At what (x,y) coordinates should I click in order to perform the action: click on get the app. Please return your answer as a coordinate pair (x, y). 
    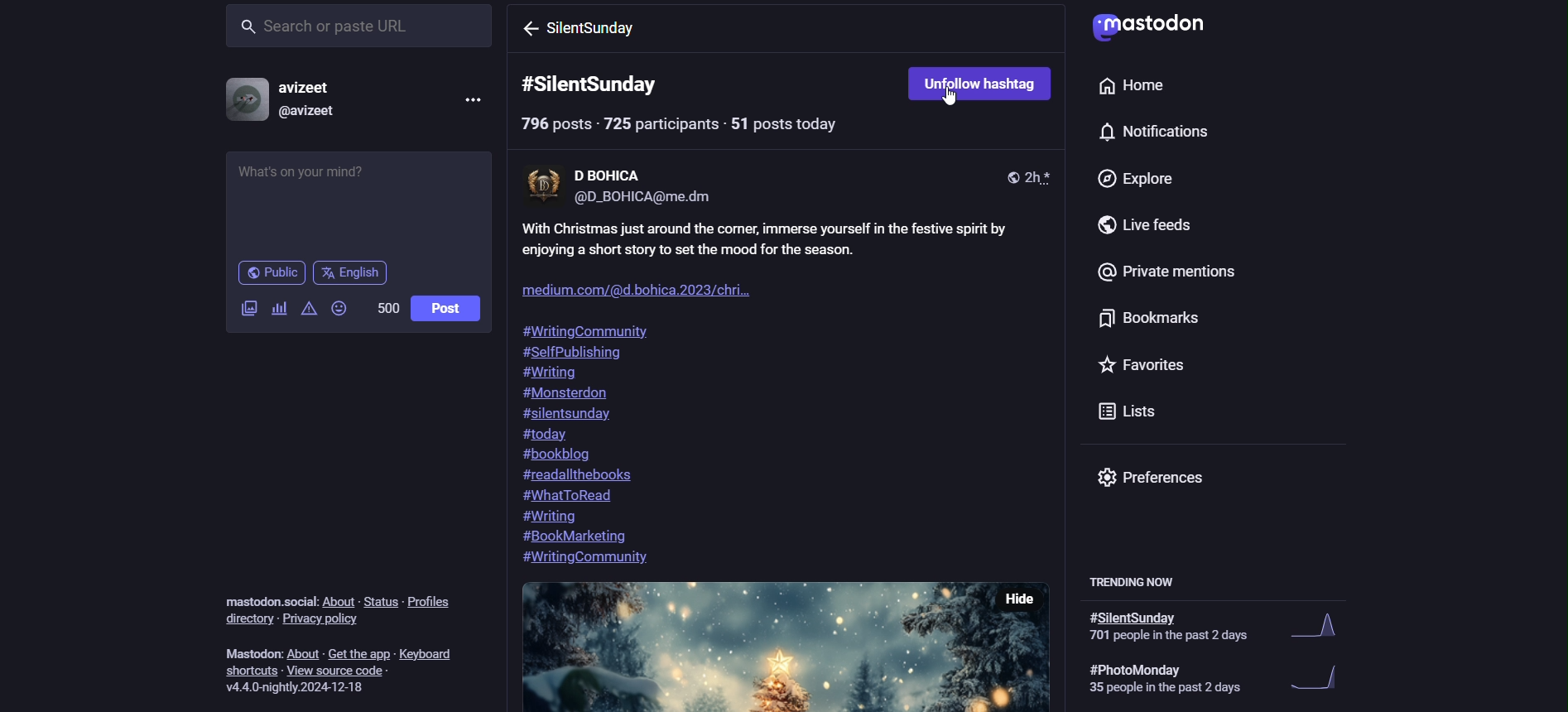
    Looking at the image, I should click on (358, 652).